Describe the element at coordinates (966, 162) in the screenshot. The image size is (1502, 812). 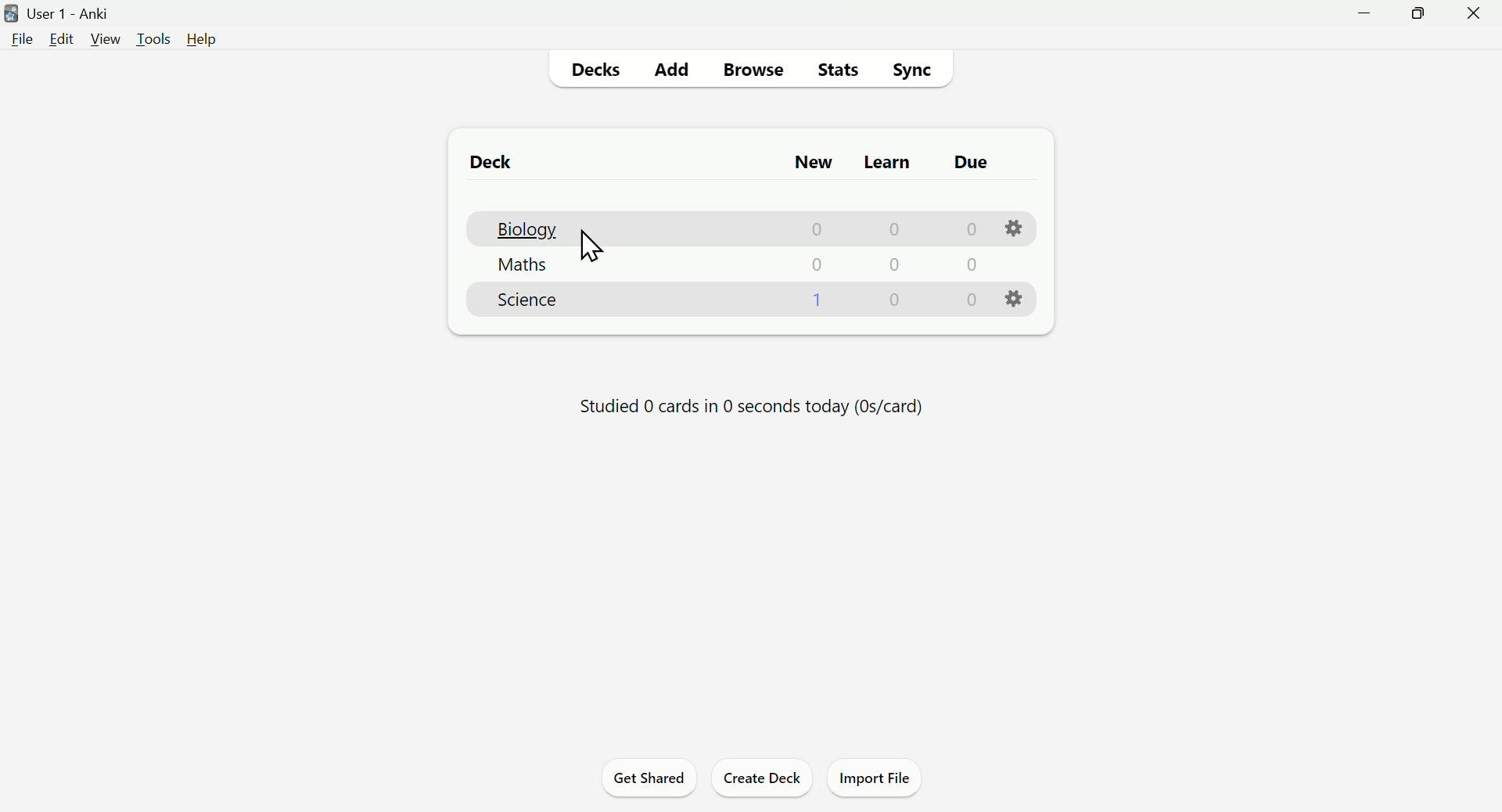
I see `Due` at that location.